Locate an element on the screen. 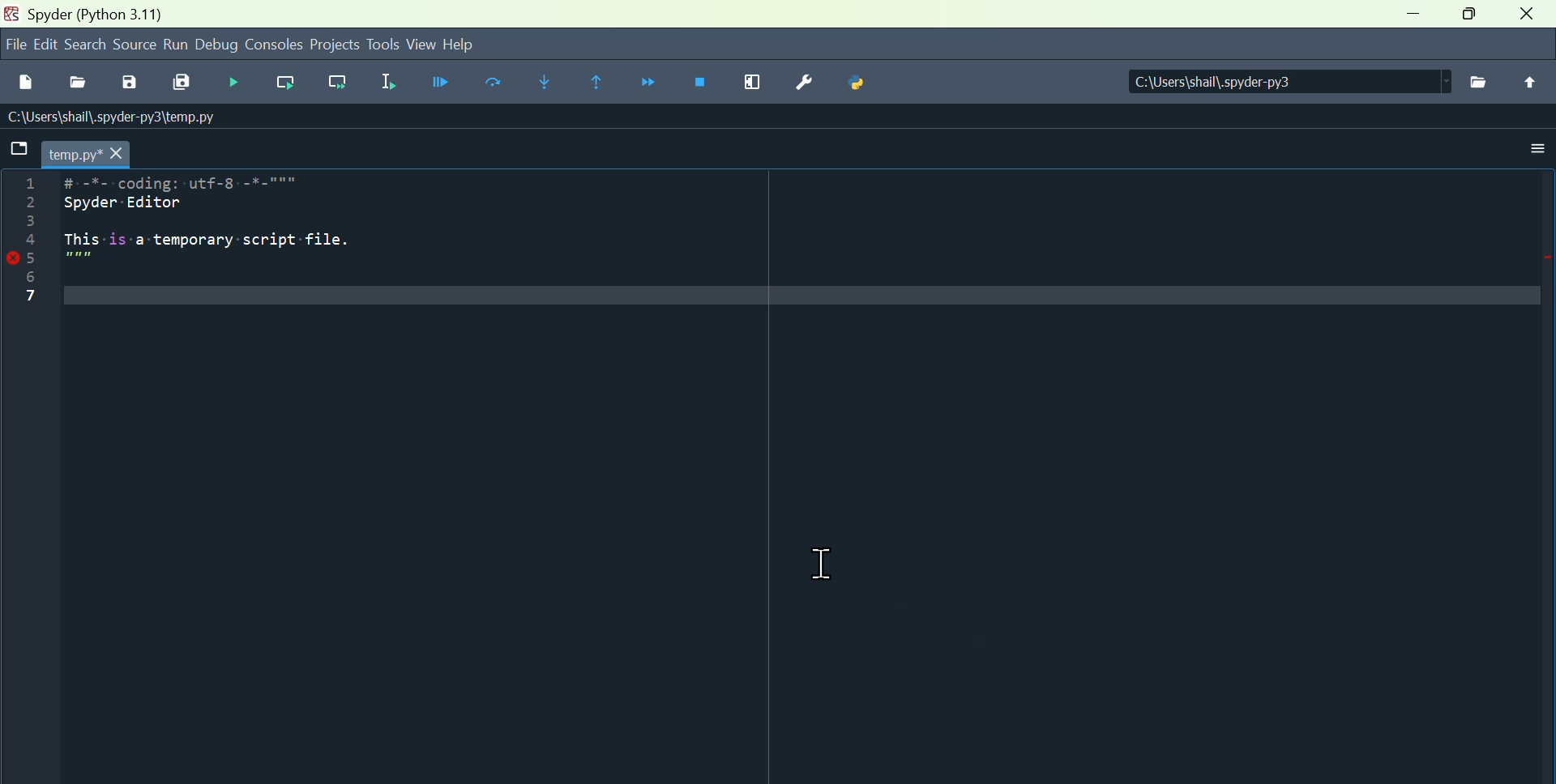  Run current cell is located at coordinates (495, 84).